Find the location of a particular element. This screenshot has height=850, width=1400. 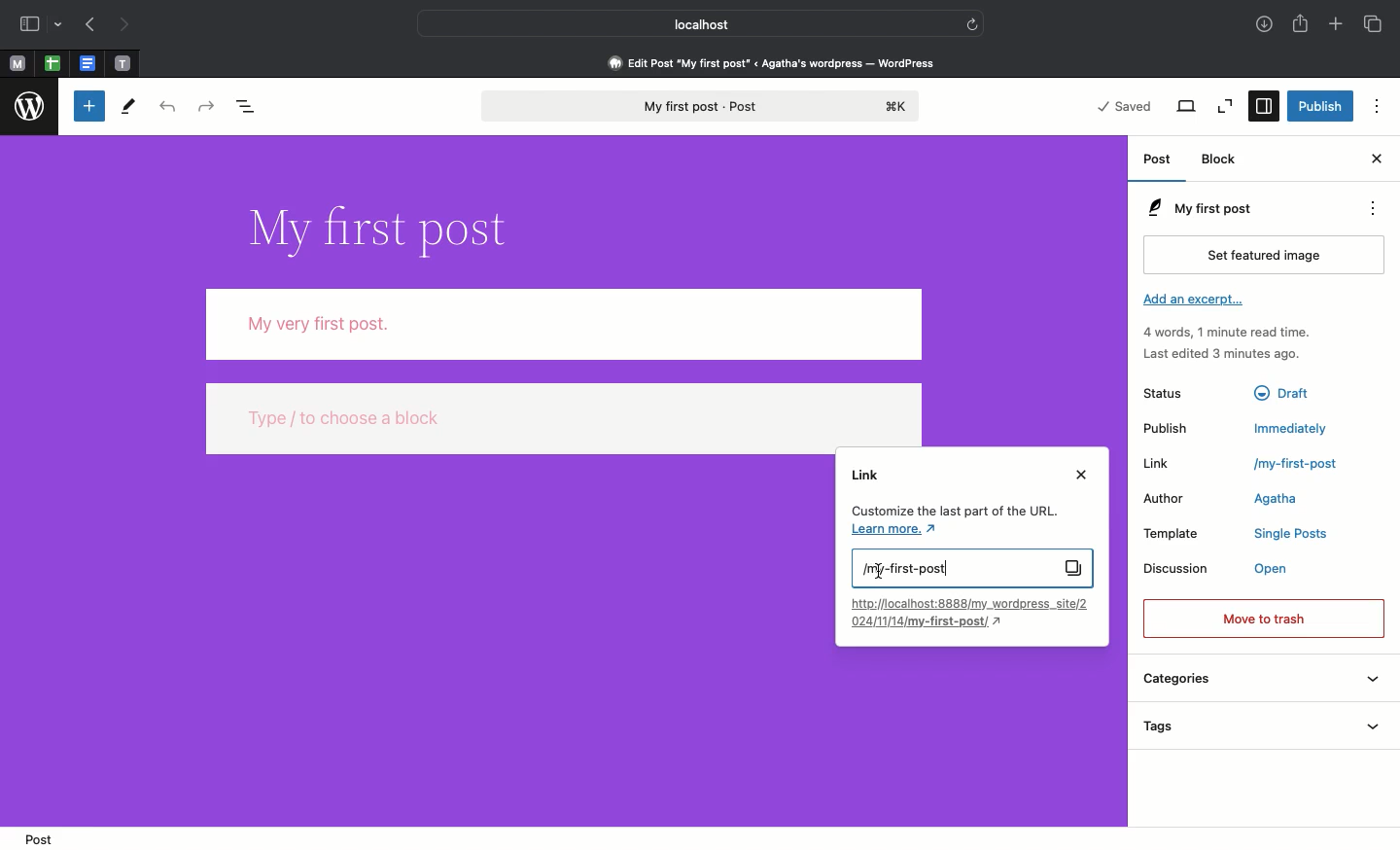

Post is located at coordinates (47, 838).